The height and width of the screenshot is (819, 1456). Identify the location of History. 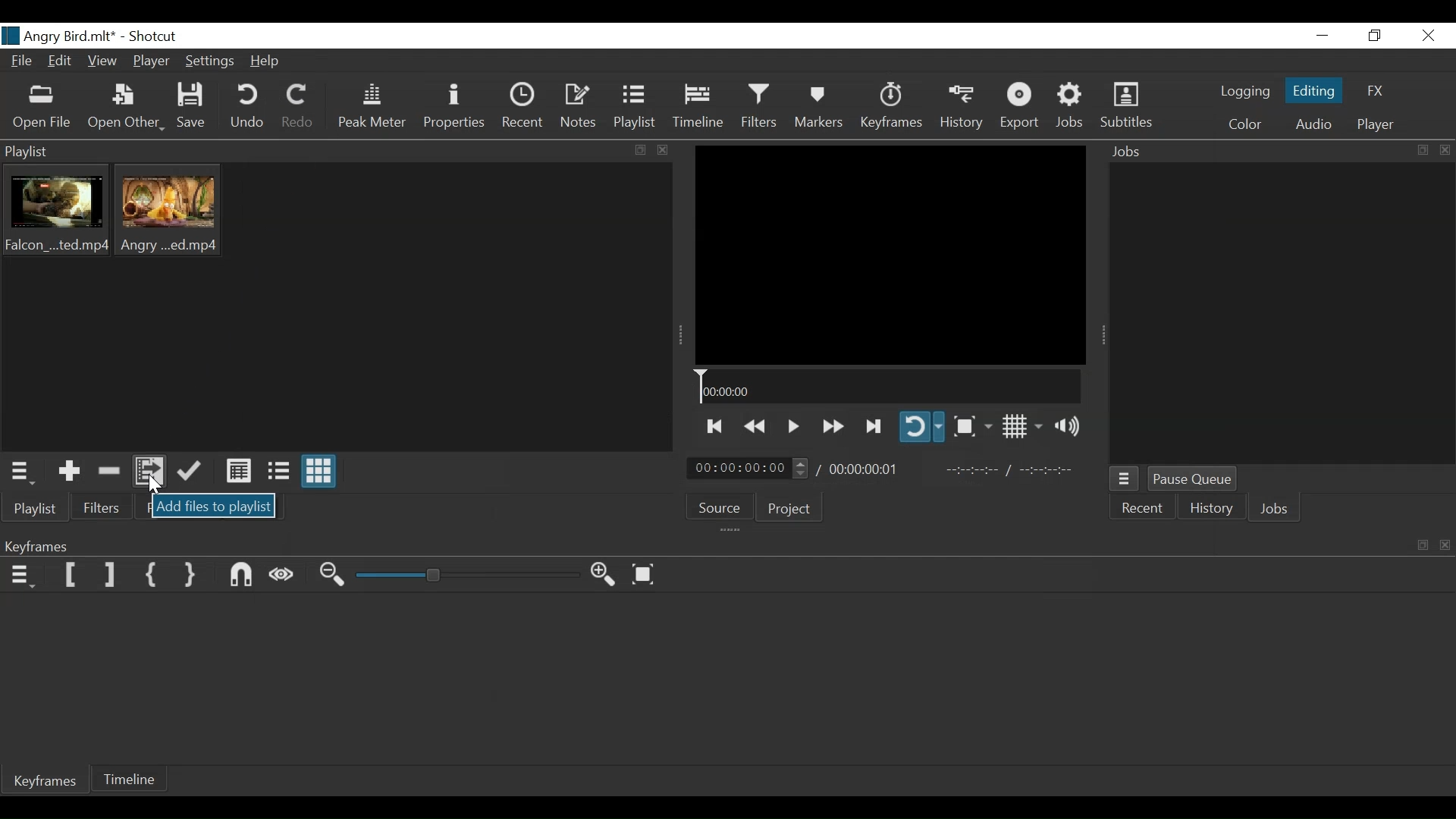
(962, 105).